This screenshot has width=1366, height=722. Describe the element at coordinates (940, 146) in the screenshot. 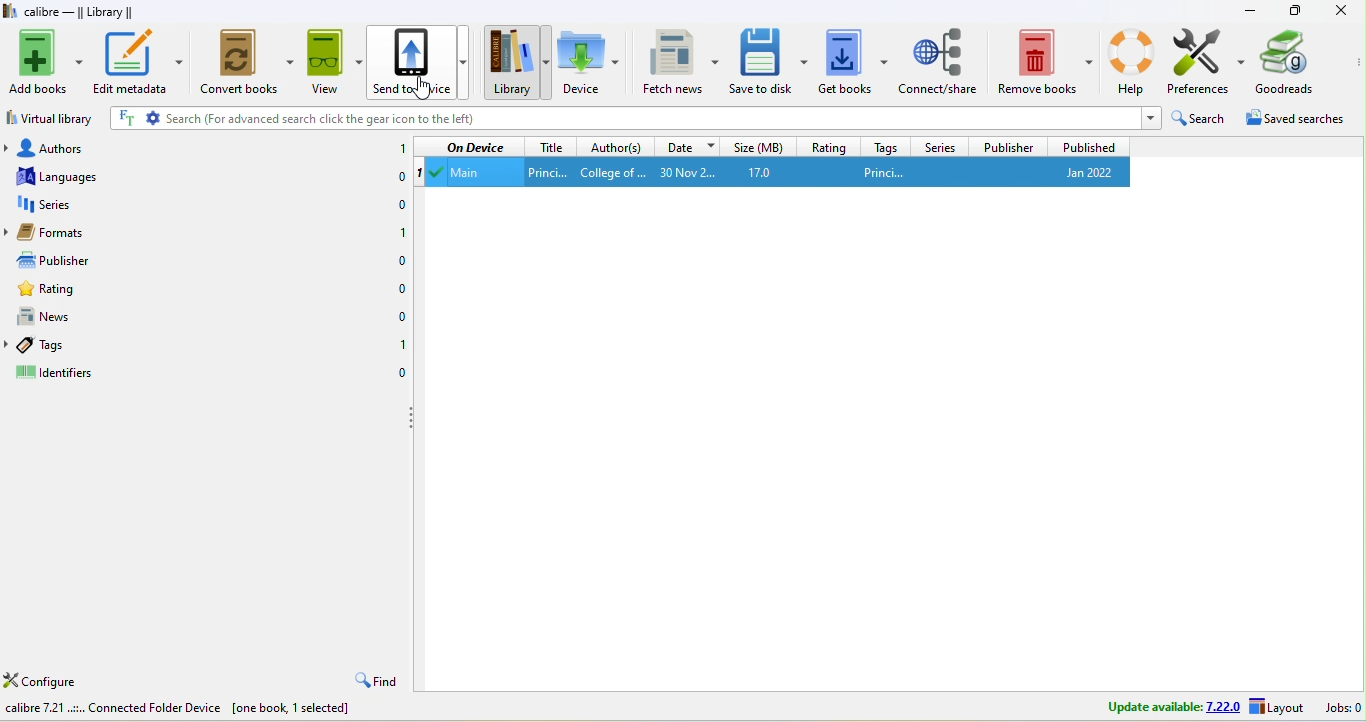

I see `series` at that location.